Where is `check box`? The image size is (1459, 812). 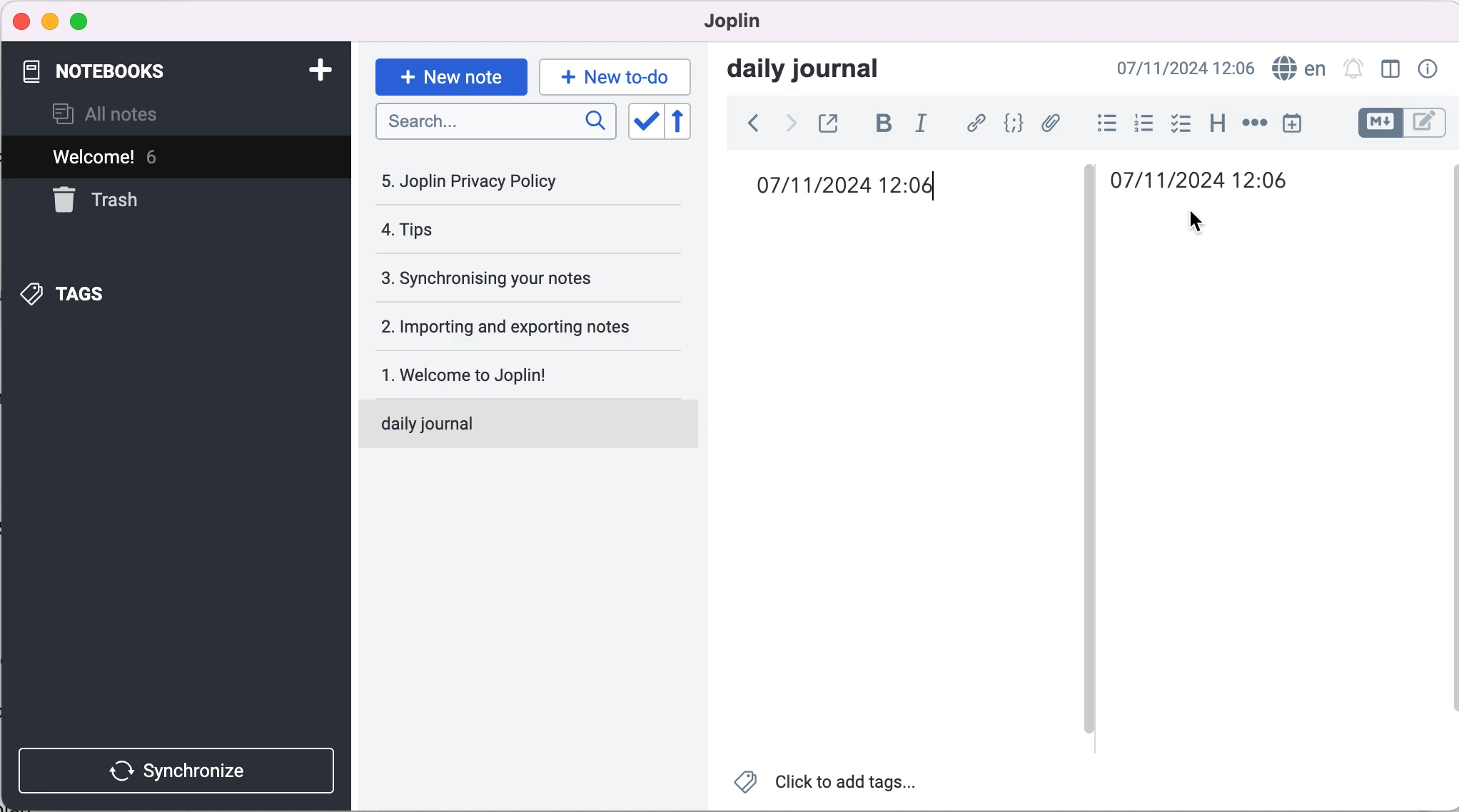
check box is located at coordinates (1176, 123).